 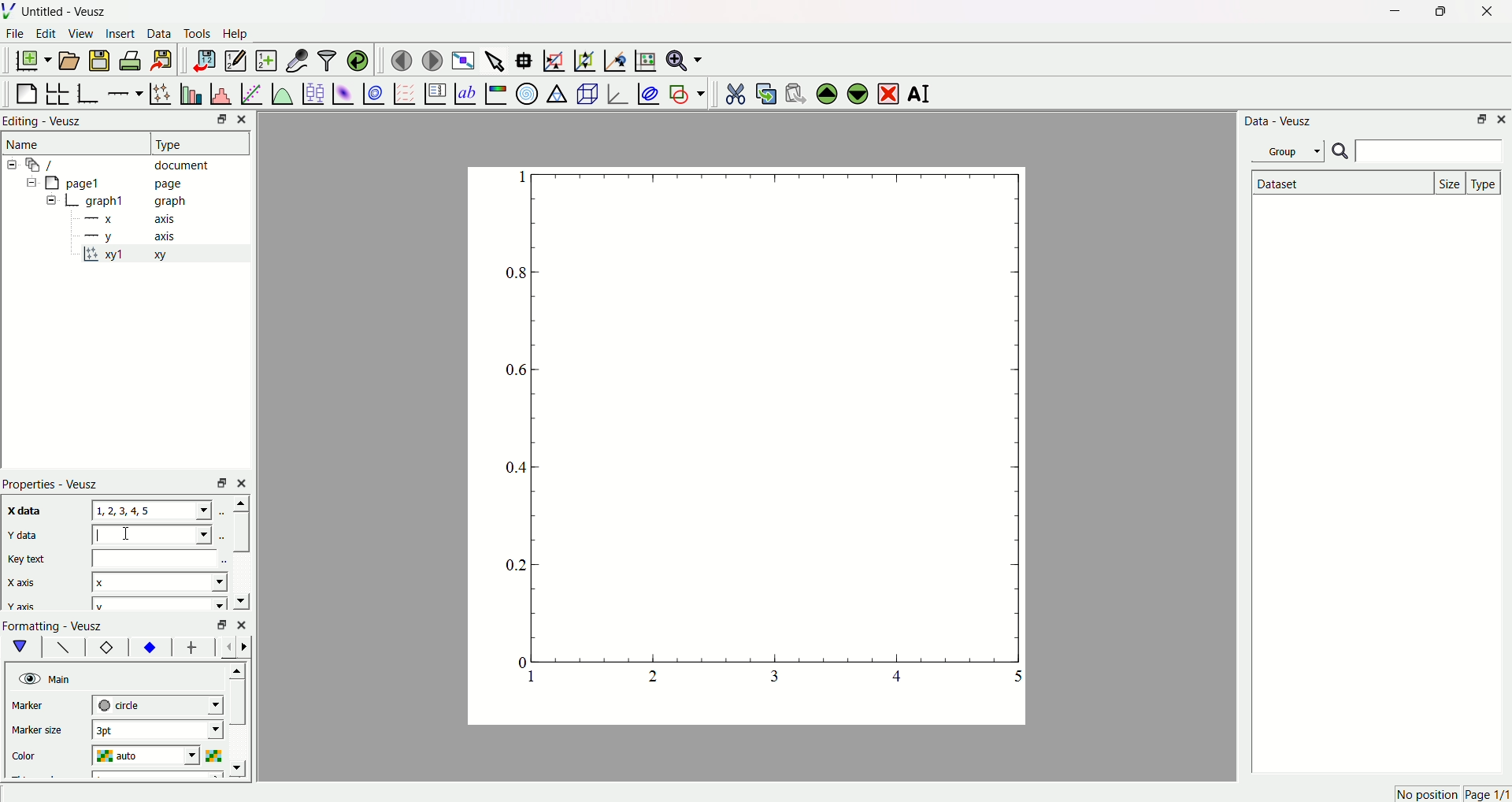 I want to click on move down, so click(x=241, y=768).